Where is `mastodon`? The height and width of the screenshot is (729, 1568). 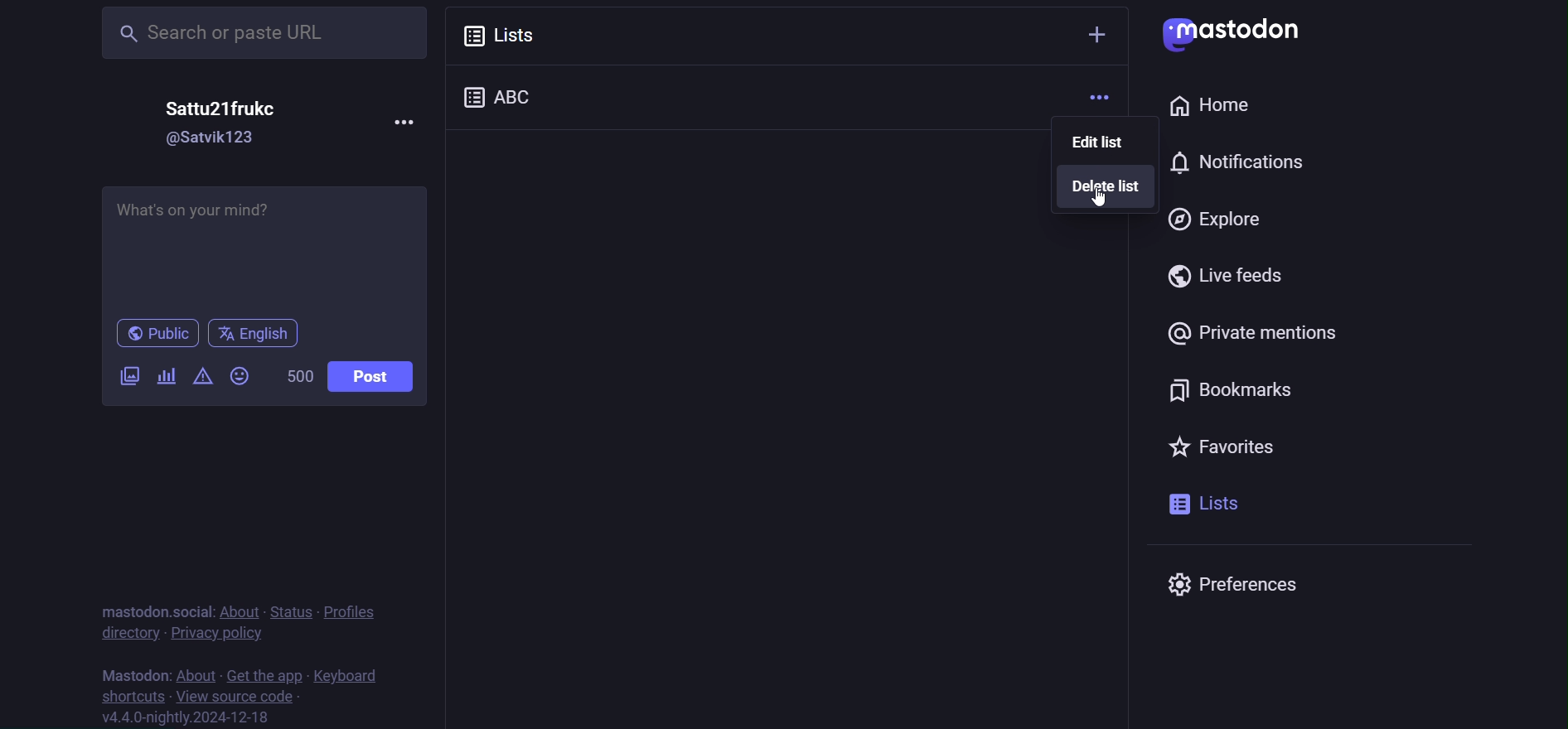
mastodon is located at coordinates (136, 672).